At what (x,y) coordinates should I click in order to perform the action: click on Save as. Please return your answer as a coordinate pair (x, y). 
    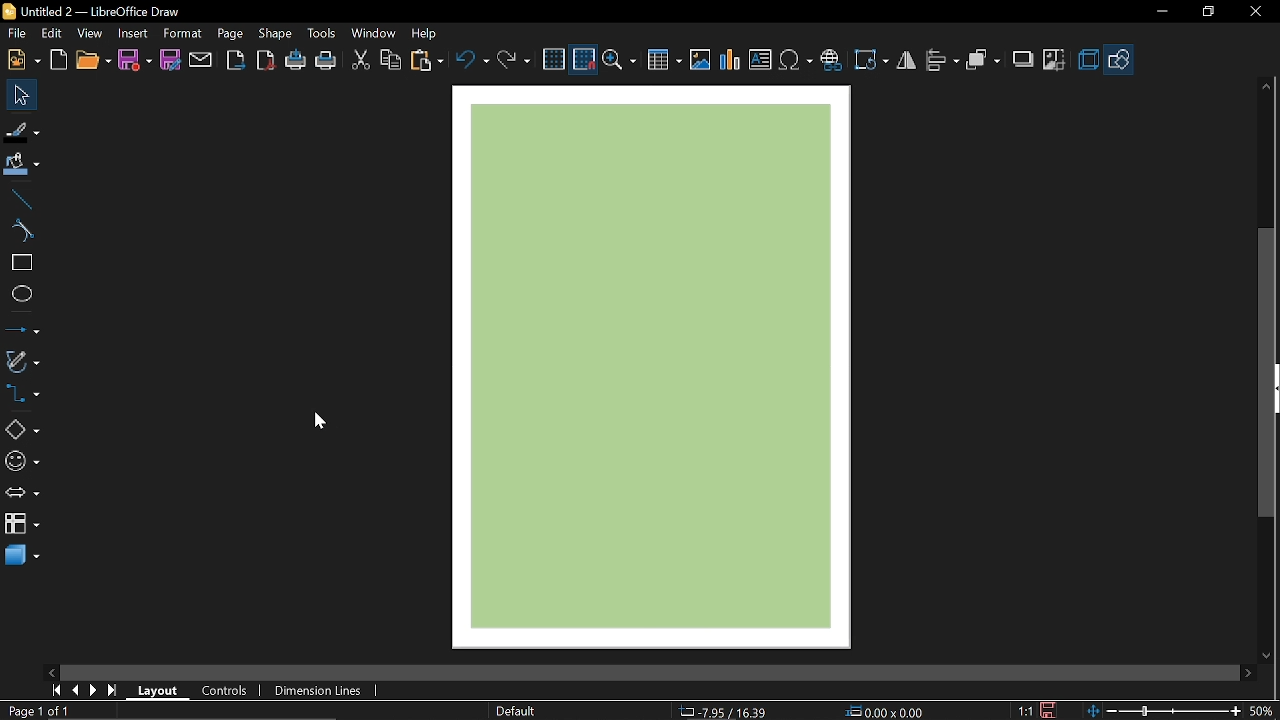
    Looking at the image, I should click on (172, 61).